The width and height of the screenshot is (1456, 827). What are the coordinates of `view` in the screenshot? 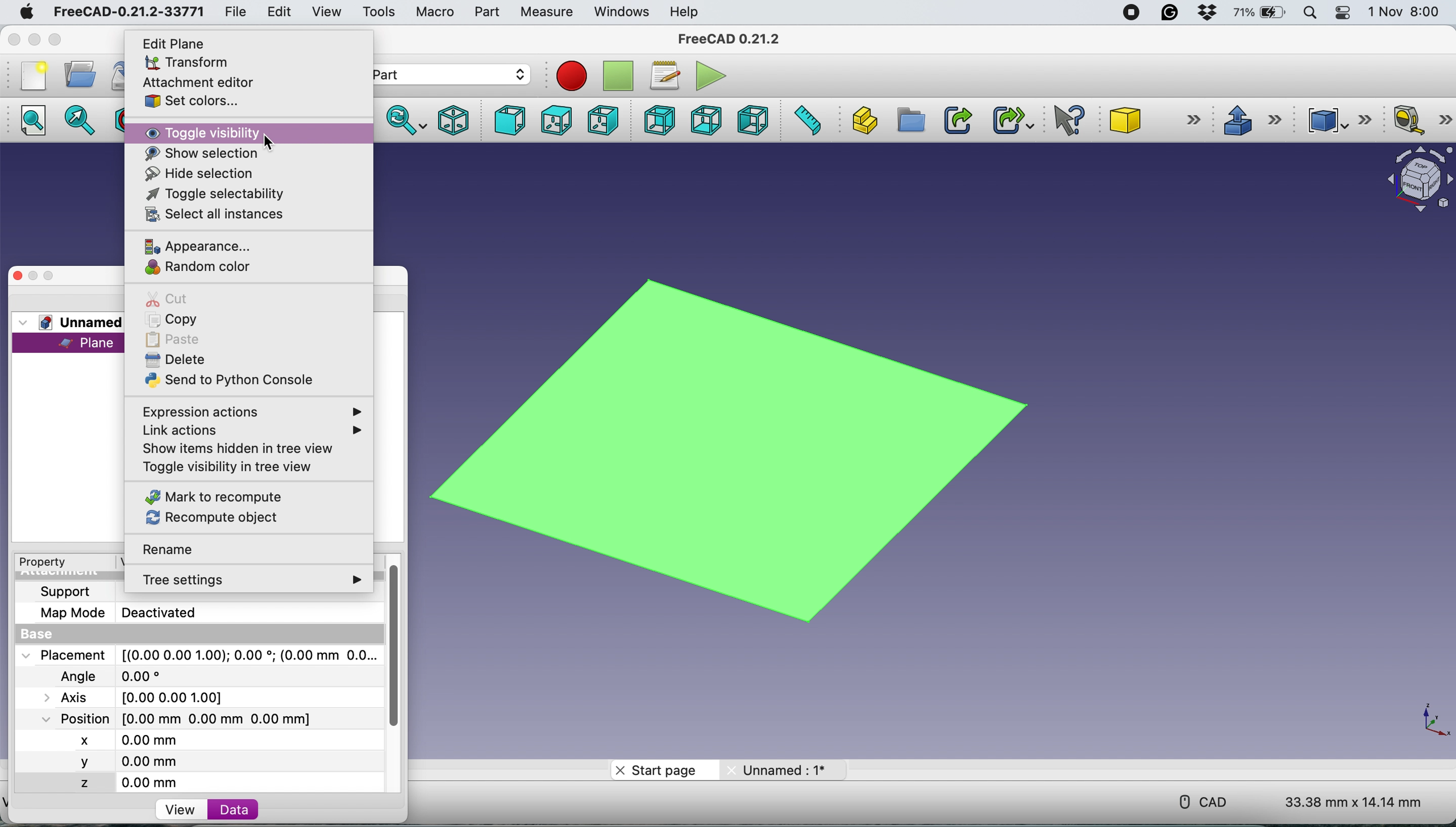 It's located at (327, 12).